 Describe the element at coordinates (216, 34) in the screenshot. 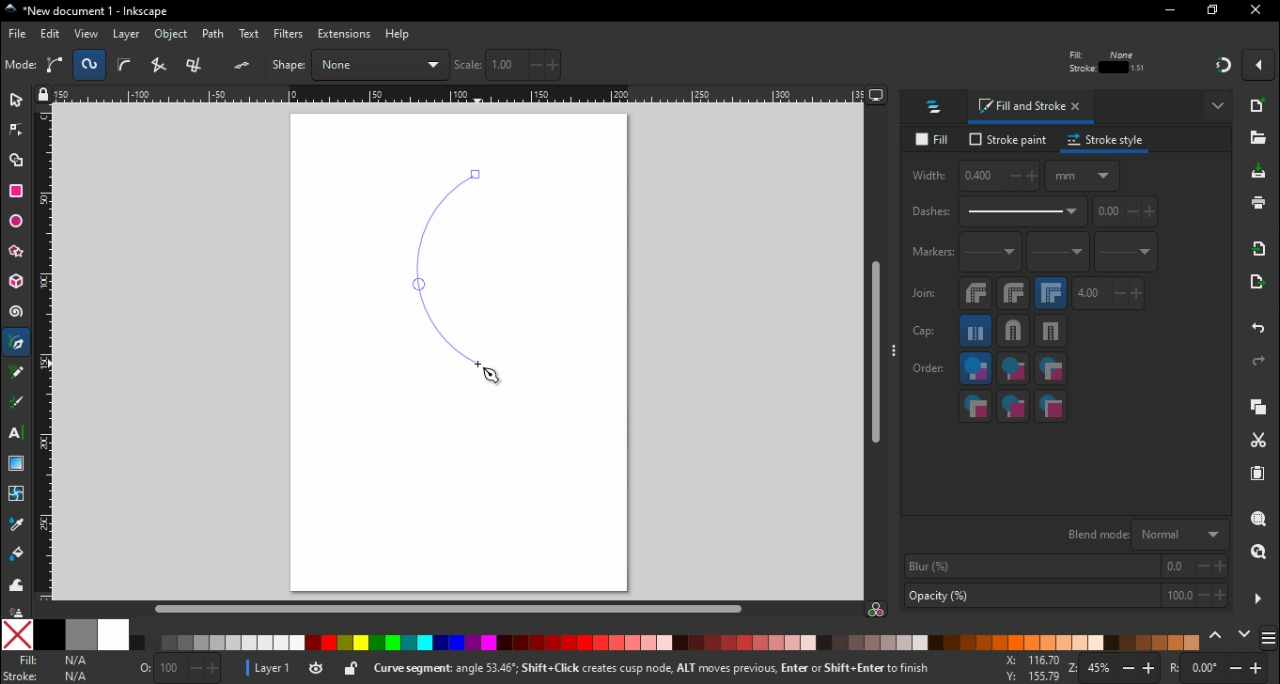

I see `path` at that location.